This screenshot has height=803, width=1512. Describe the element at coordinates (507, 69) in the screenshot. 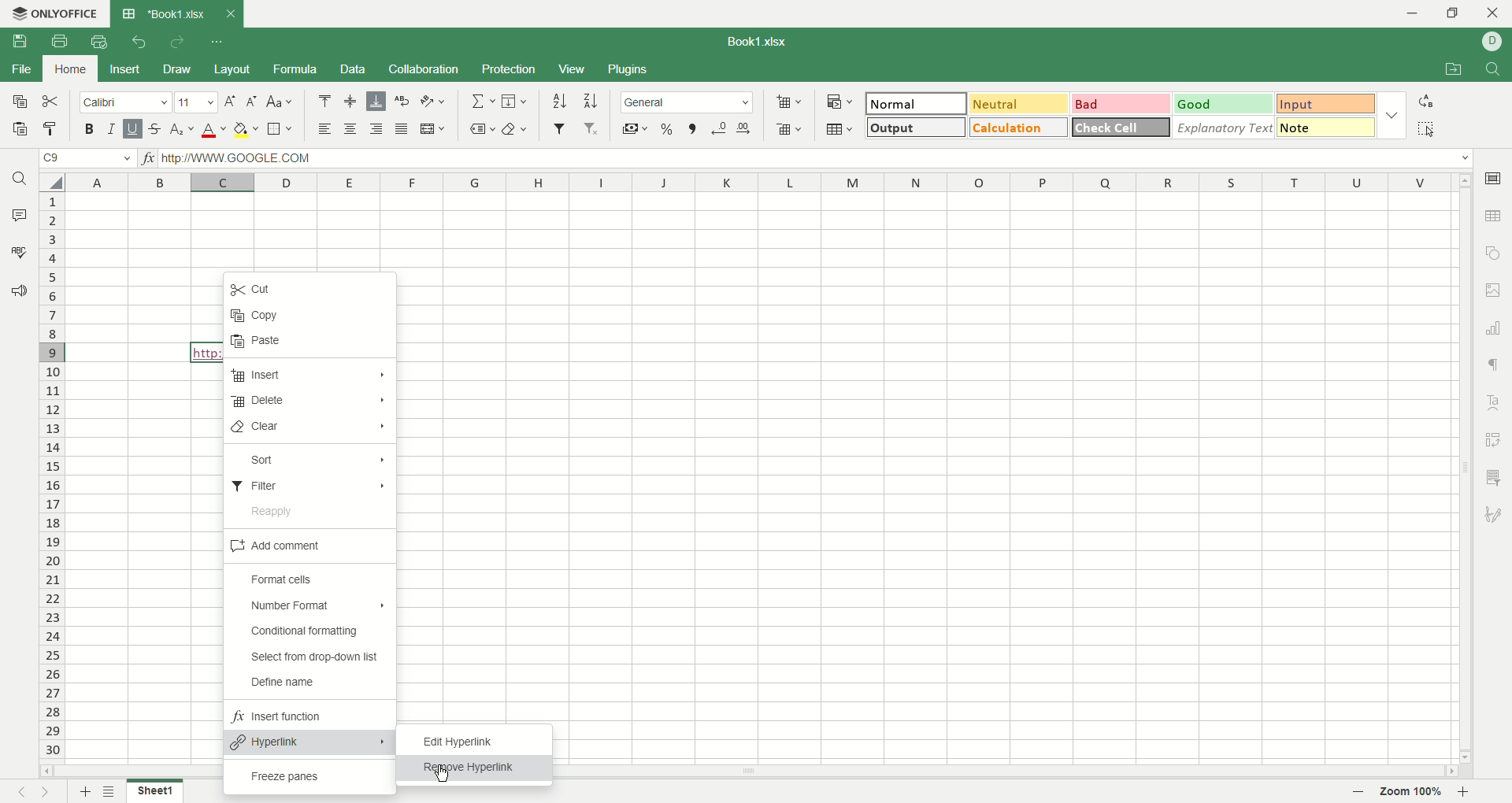

I see `protection` at that location.